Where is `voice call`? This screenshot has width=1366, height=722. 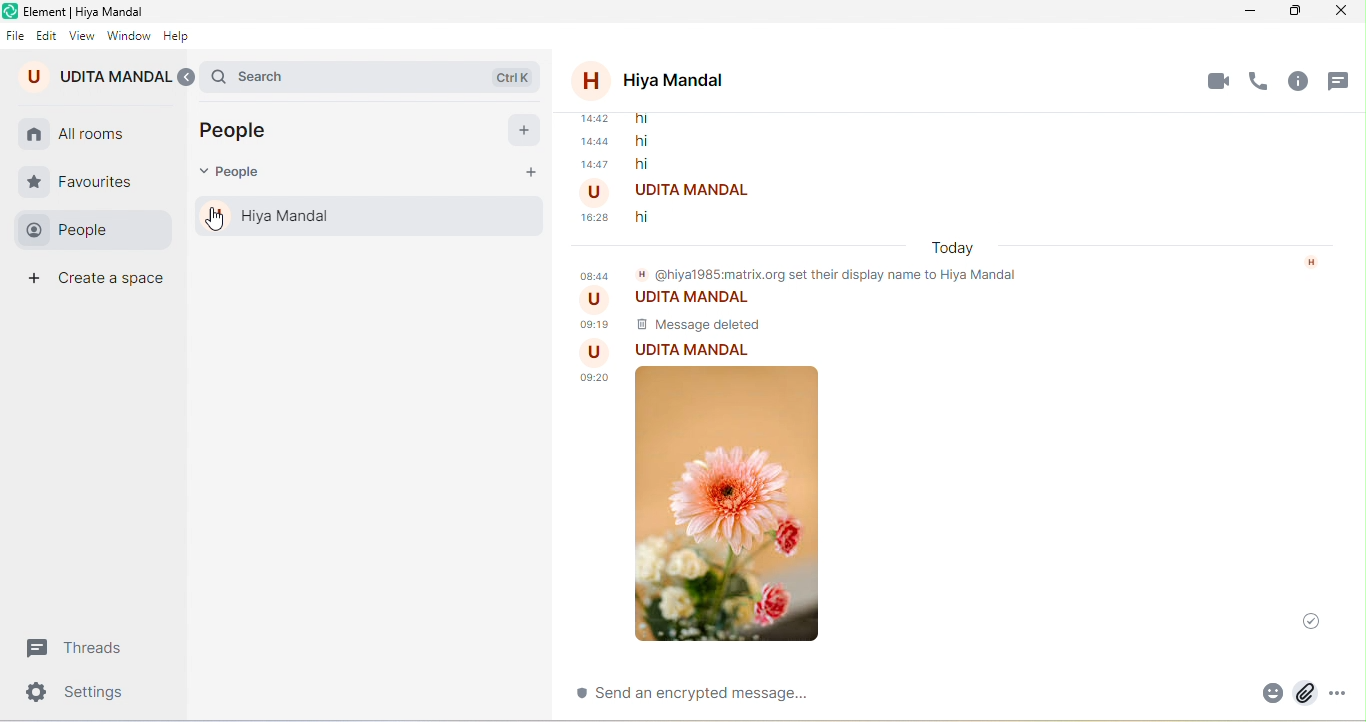 voice call is located at coordinates (1263, 82).